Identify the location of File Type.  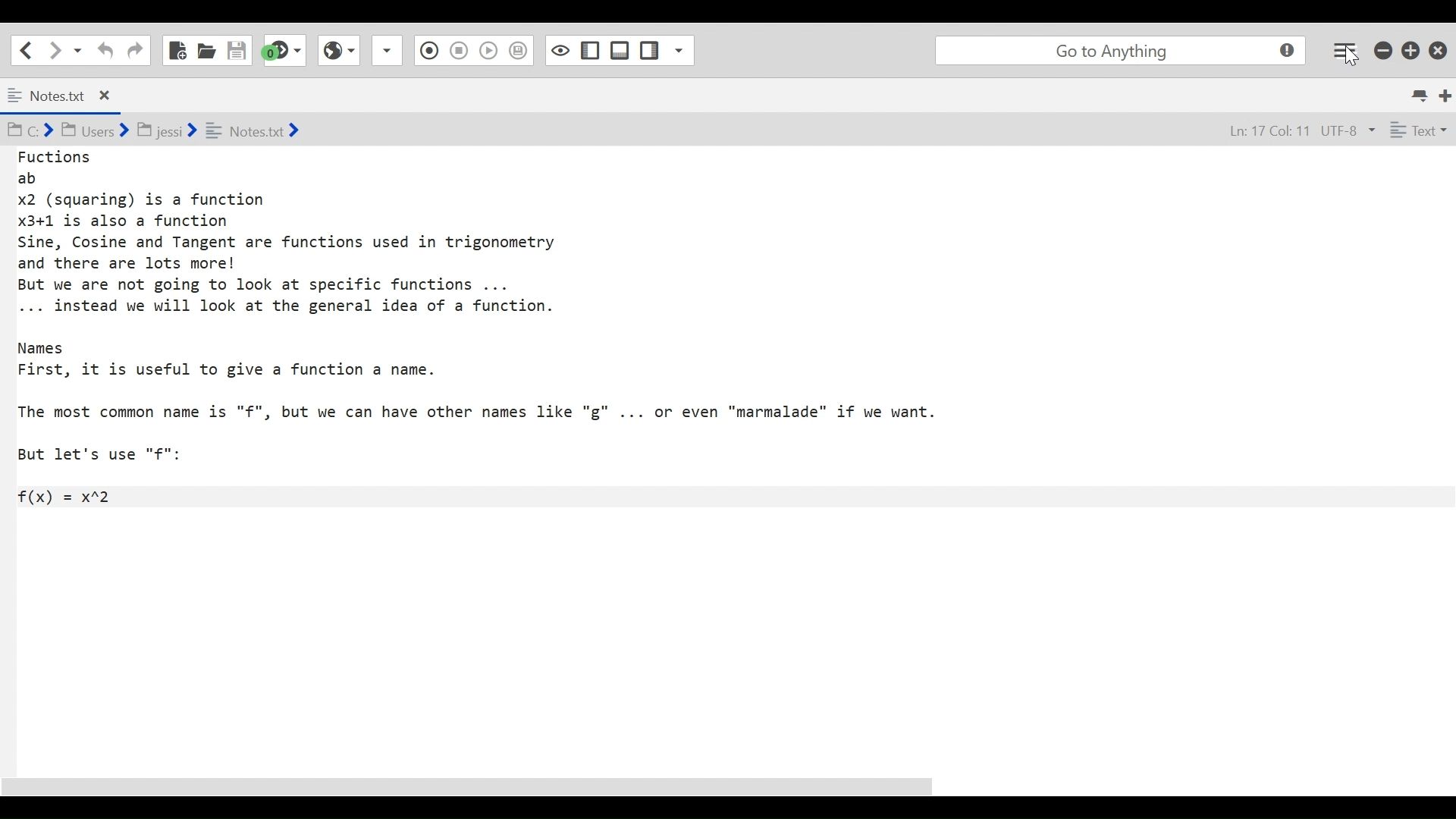
(1417, 133).